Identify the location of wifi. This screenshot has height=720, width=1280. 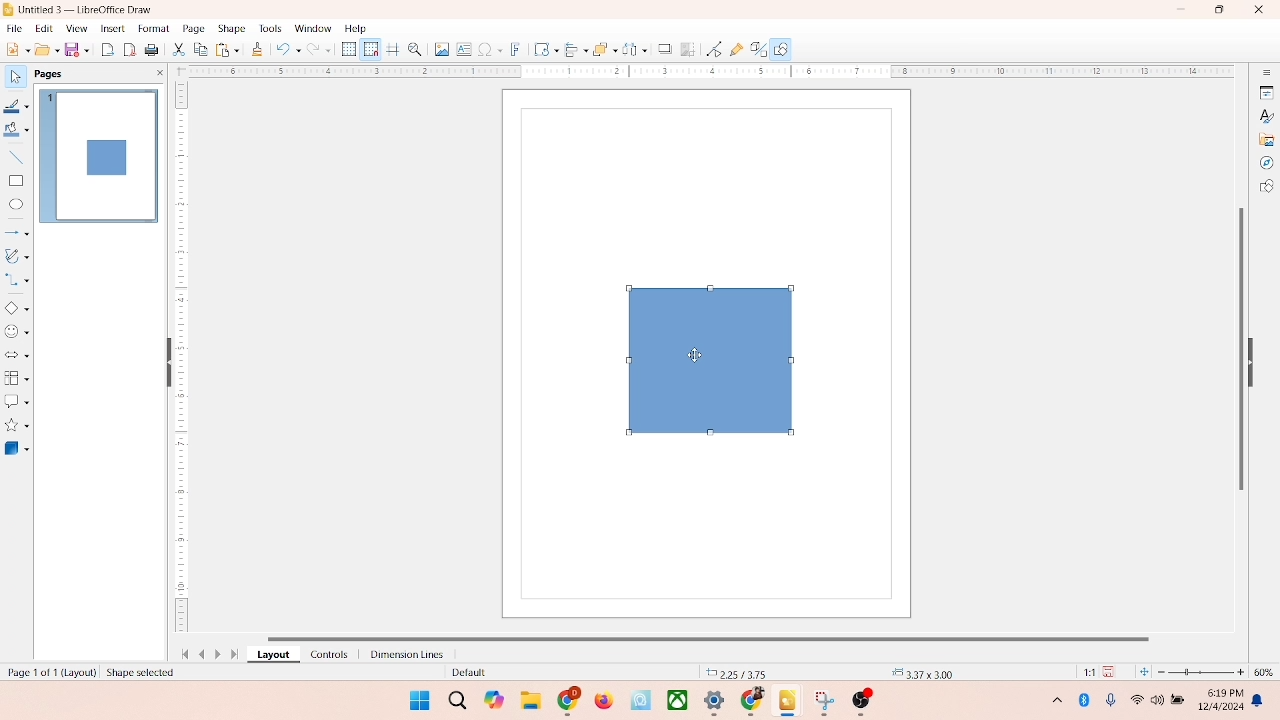
(1136, 696).